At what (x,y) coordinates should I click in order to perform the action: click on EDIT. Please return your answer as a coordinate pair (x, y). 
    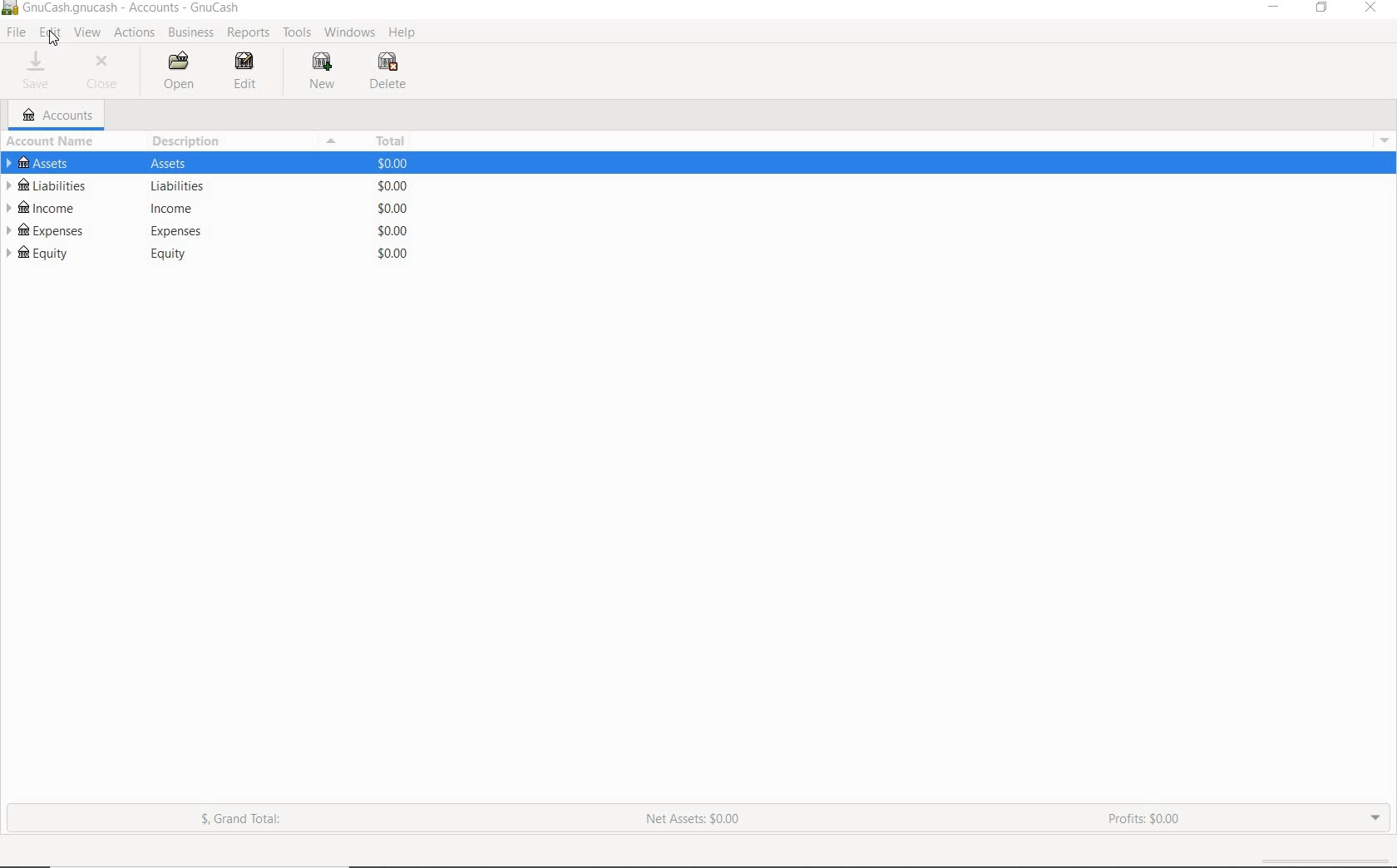
    Looking at the image, I should click on (241, 70).